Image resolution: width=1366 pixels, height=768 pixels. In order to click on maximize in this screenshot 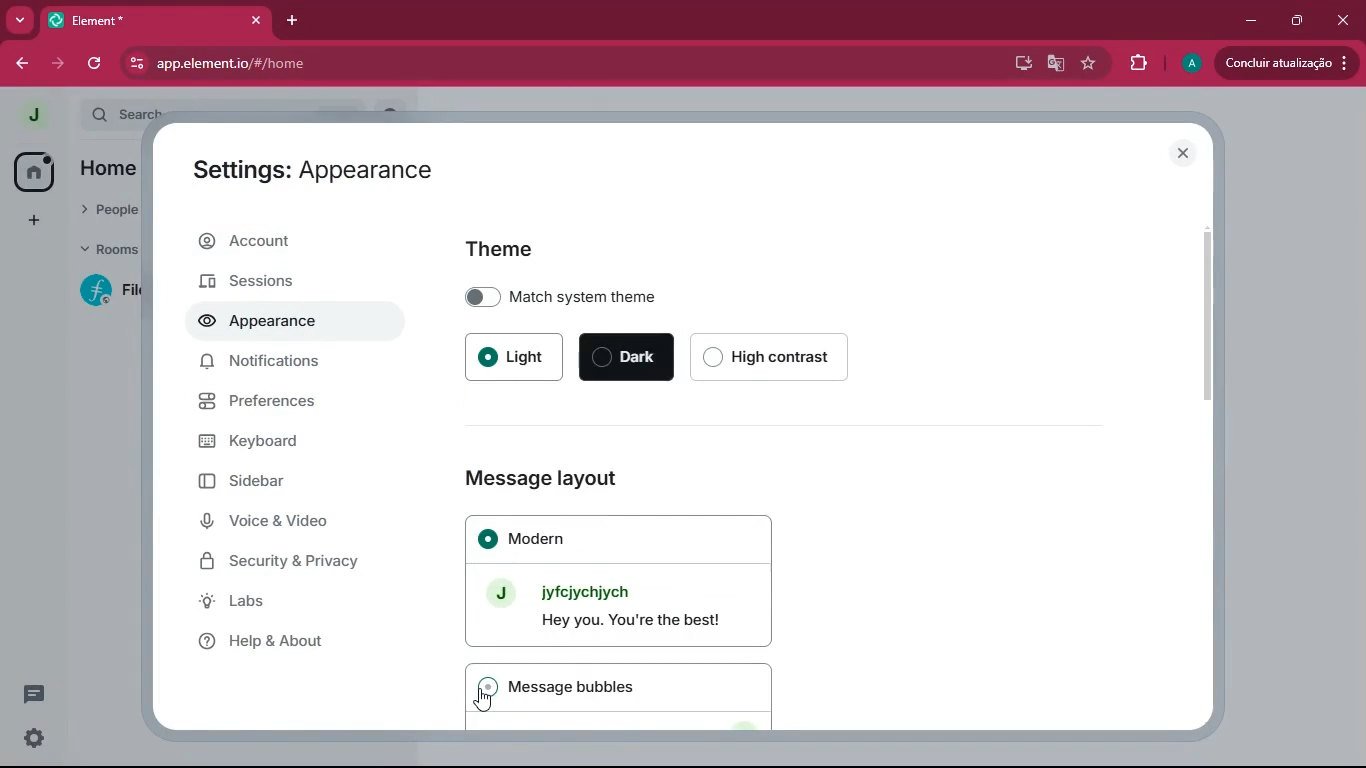, I will do `click(1297, 22)`.